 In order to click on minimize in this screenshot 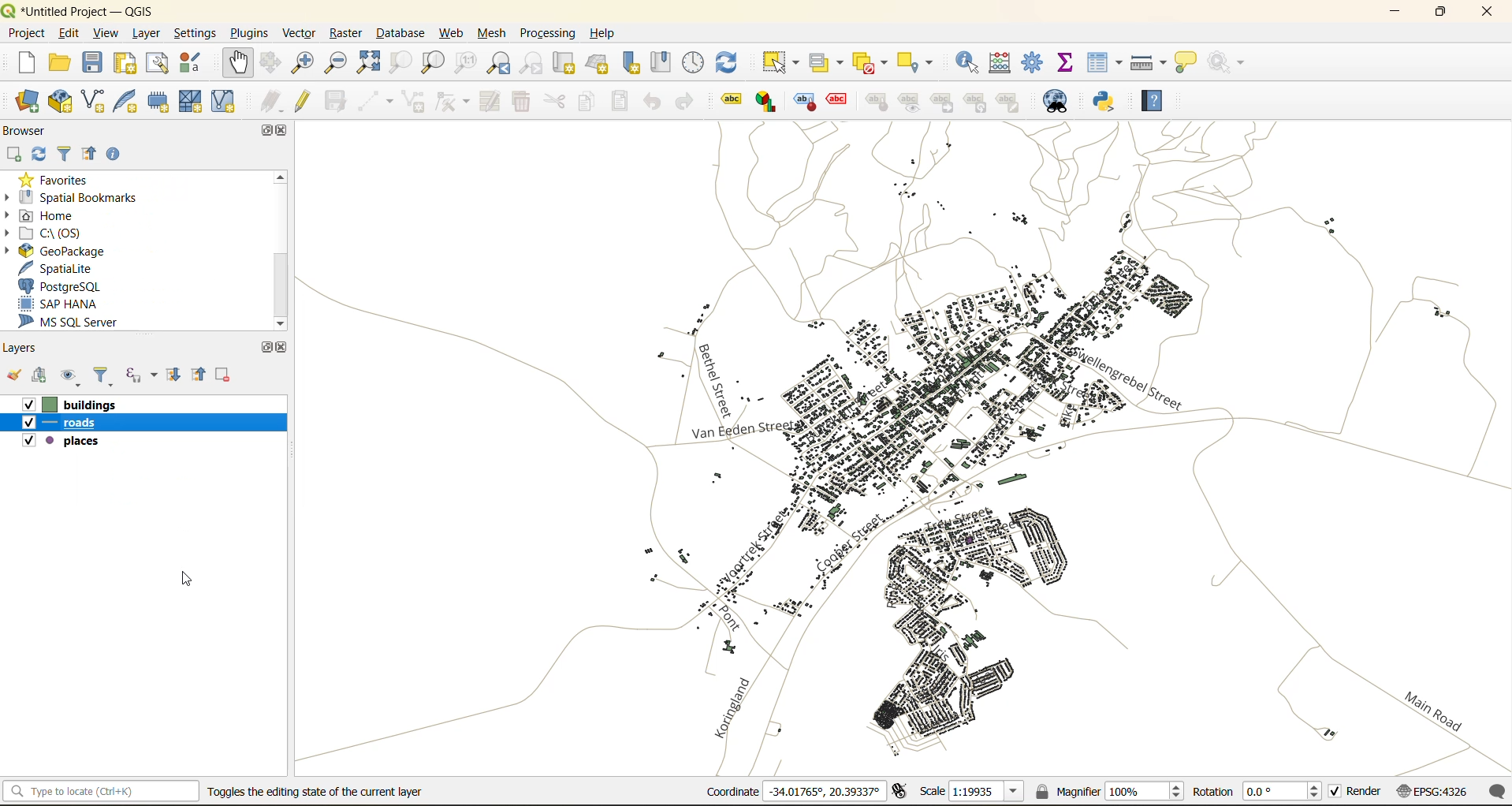, I will do `click(1394, 12)`.